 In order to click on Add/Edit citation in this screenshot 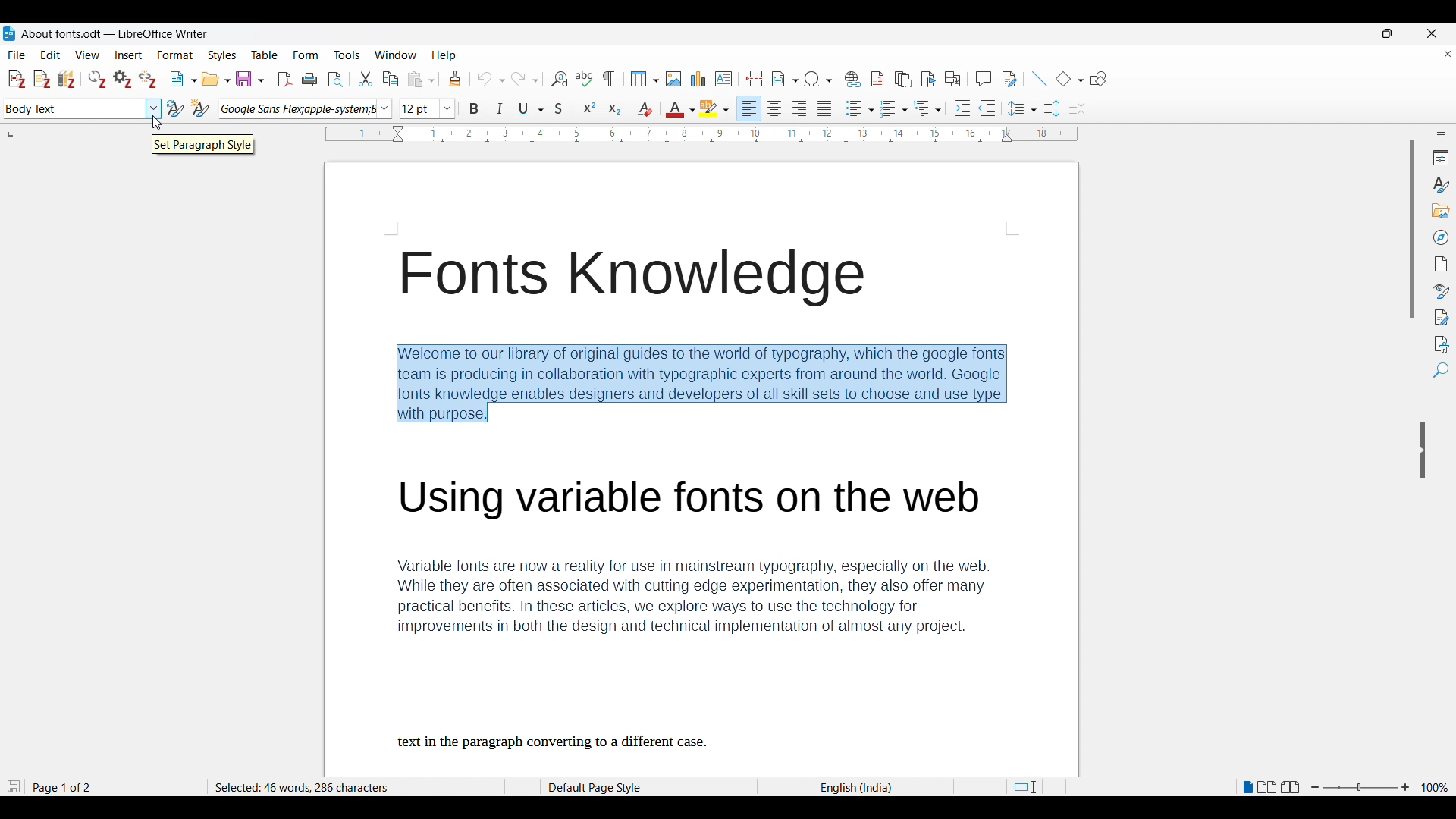, I will do `click(17, 79)`.